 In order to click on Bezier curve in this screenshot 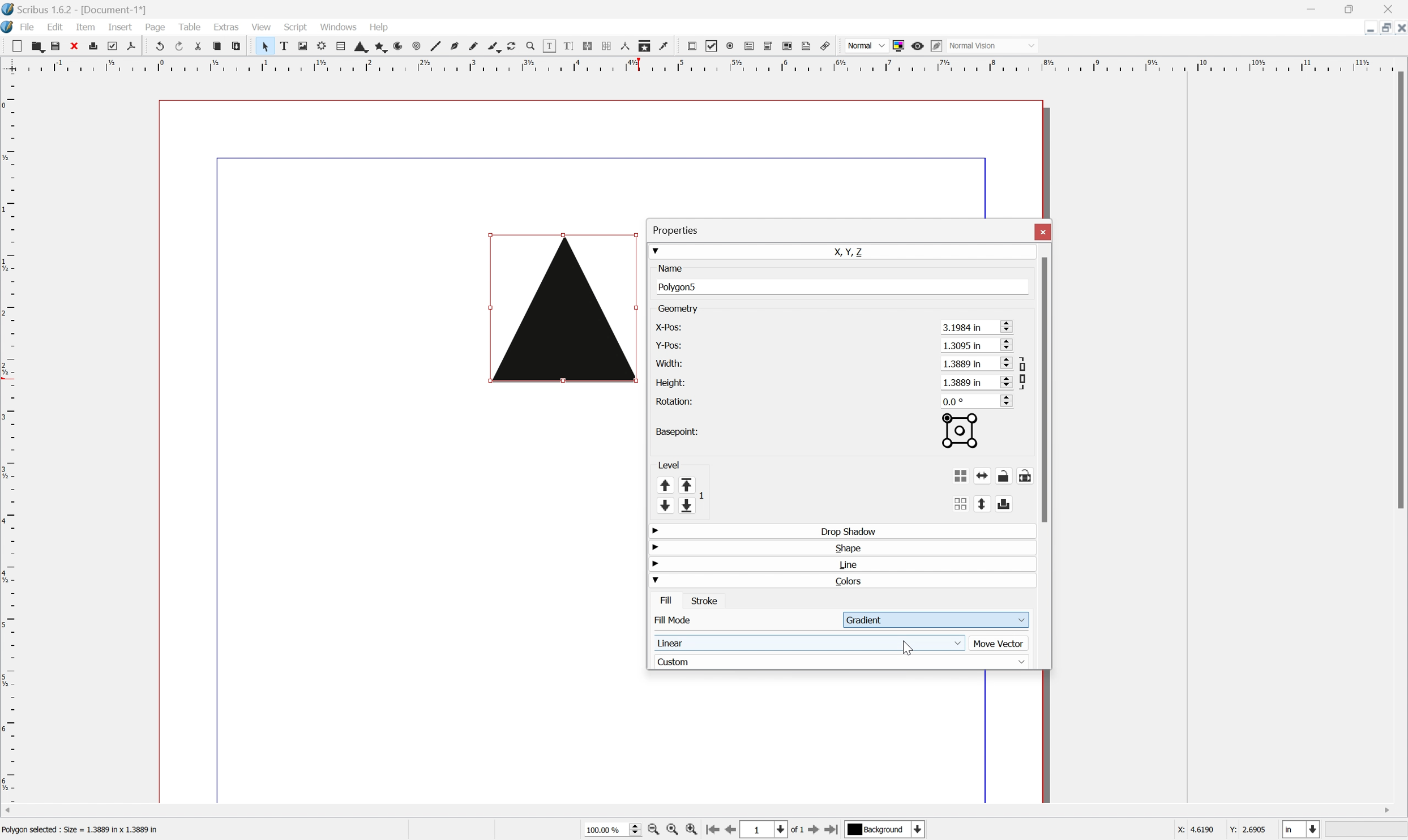, I will do `click(453, 45)`.